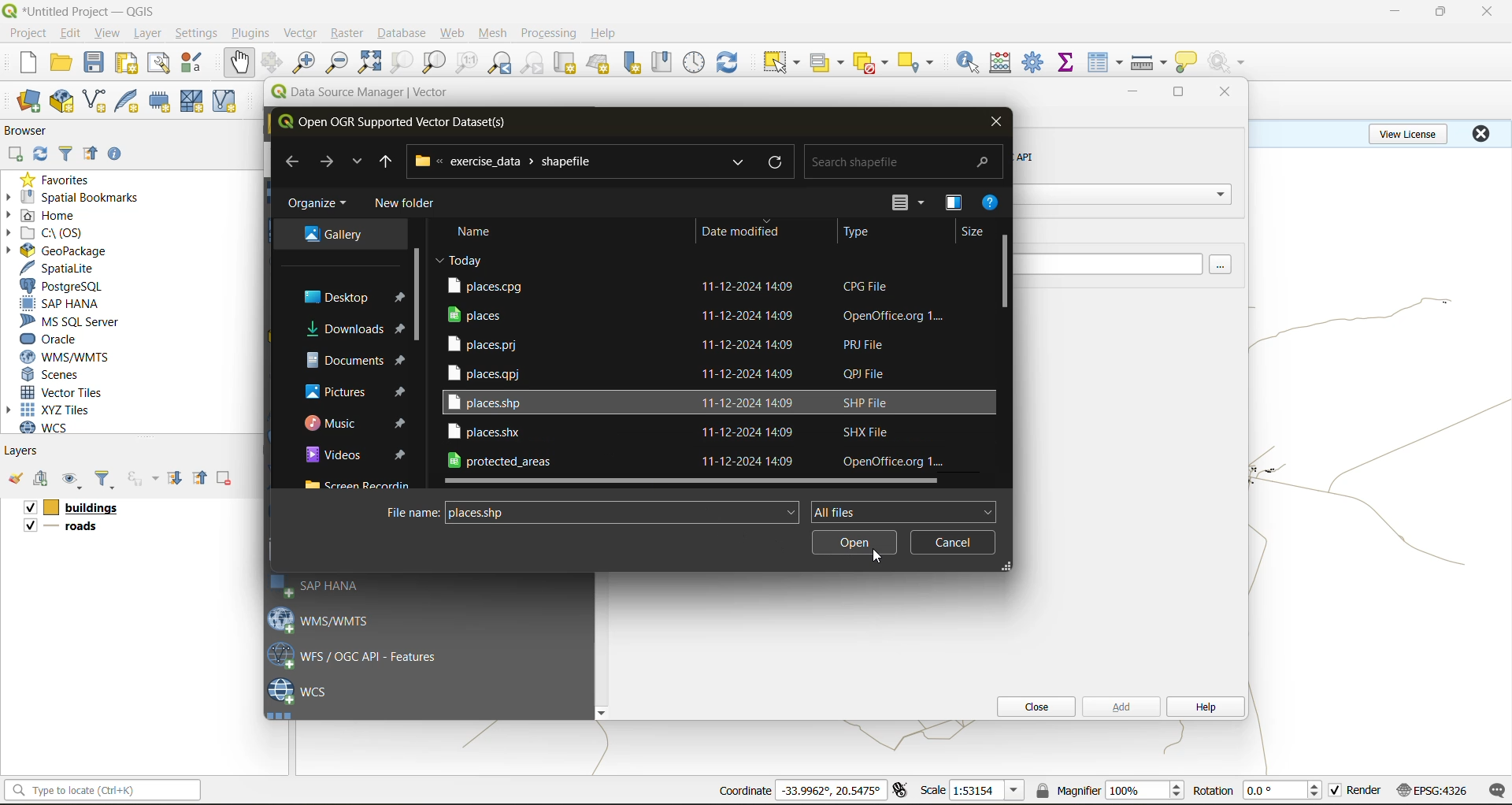 This screenshot has width=1512, height=805. I want to click on layer, so click(145, 34).